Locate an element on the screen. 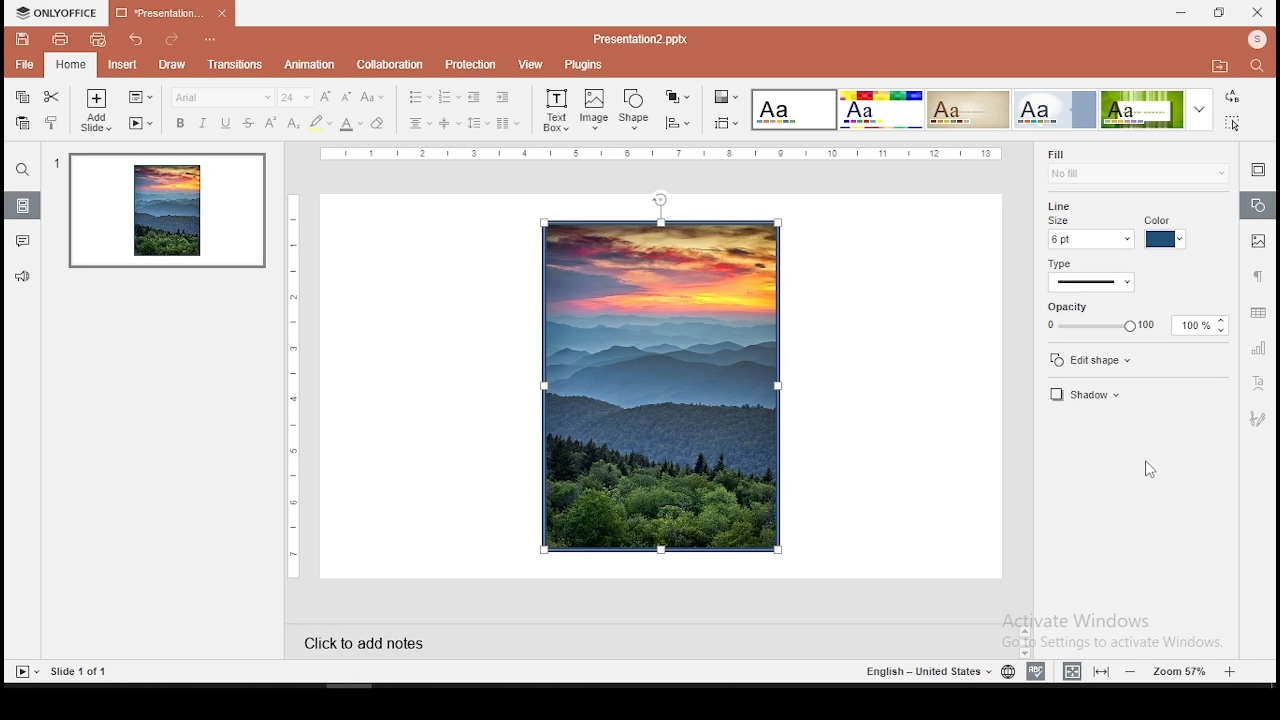  font is located at coordinates (223, 98).